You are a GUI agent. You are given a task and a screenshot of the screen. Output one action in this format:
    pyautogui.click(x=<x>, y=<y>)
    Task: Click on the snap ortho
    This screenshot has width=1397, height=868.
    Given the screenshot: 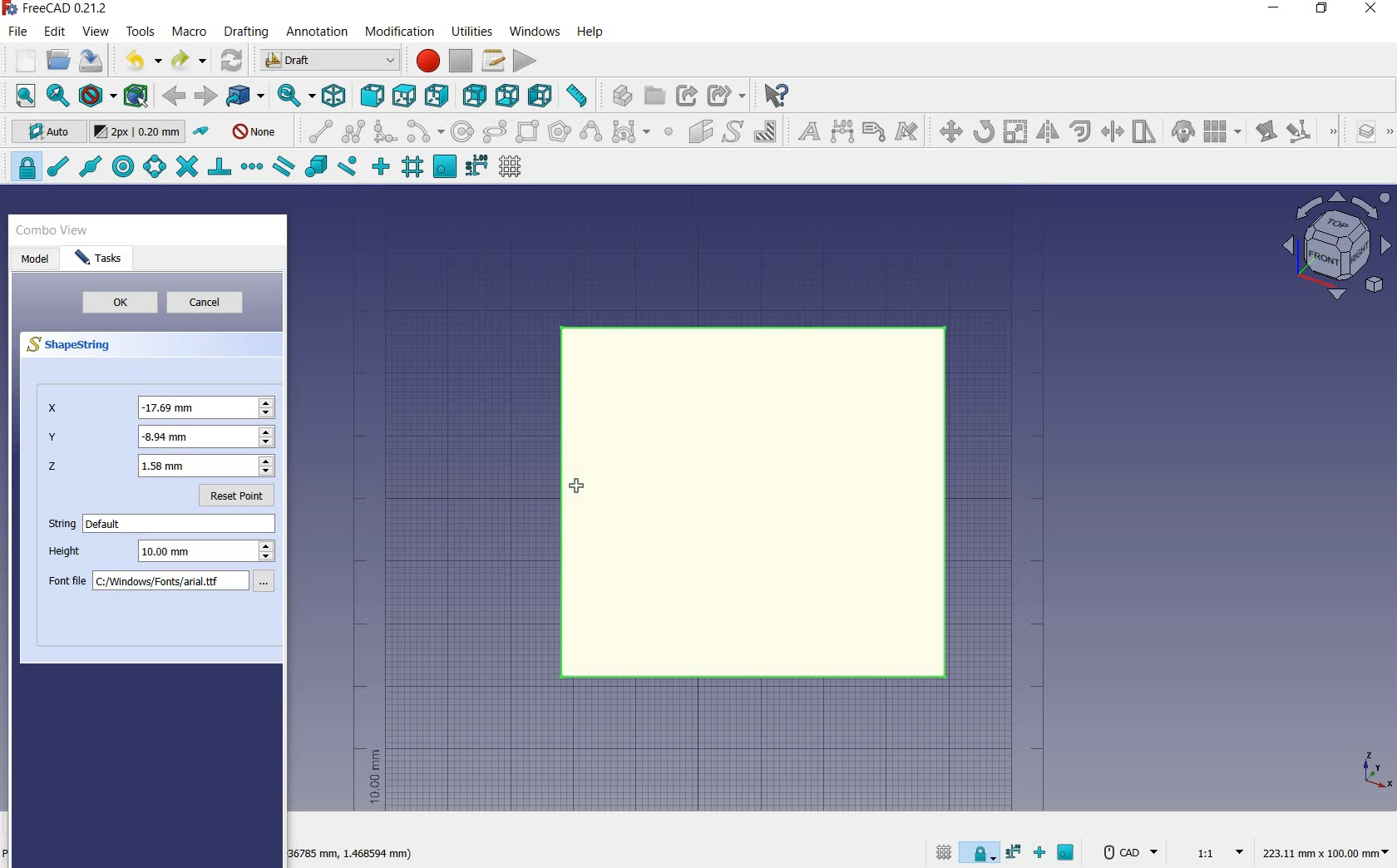 What is the action you would take?
    pyautogui.click(x=381, y=167)
    